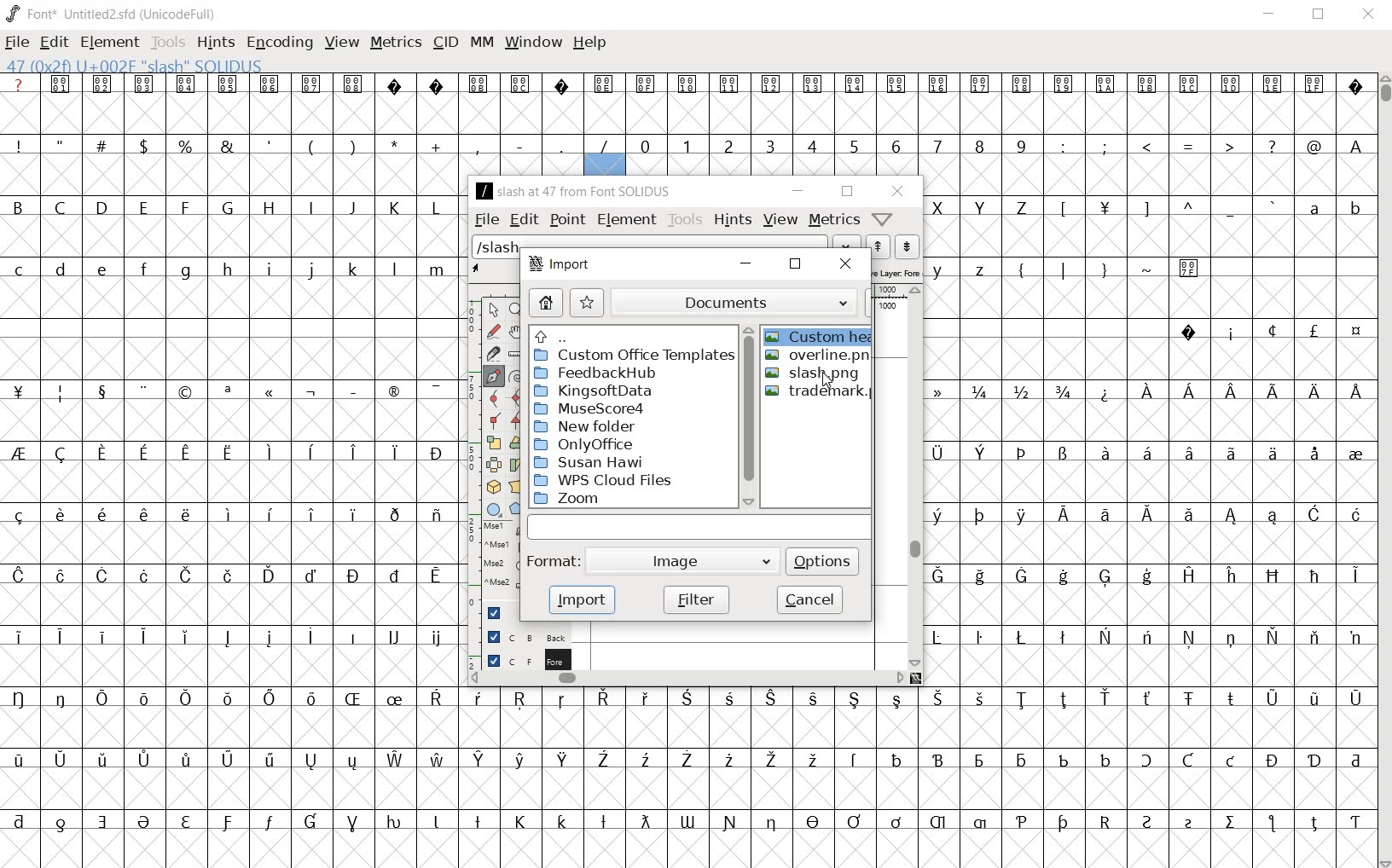 This screenshot has height=868, width=1392. What do you see at coordinates (393, 45) in the screenshot?
I see `METRICS` at bounding box center [393, 45].